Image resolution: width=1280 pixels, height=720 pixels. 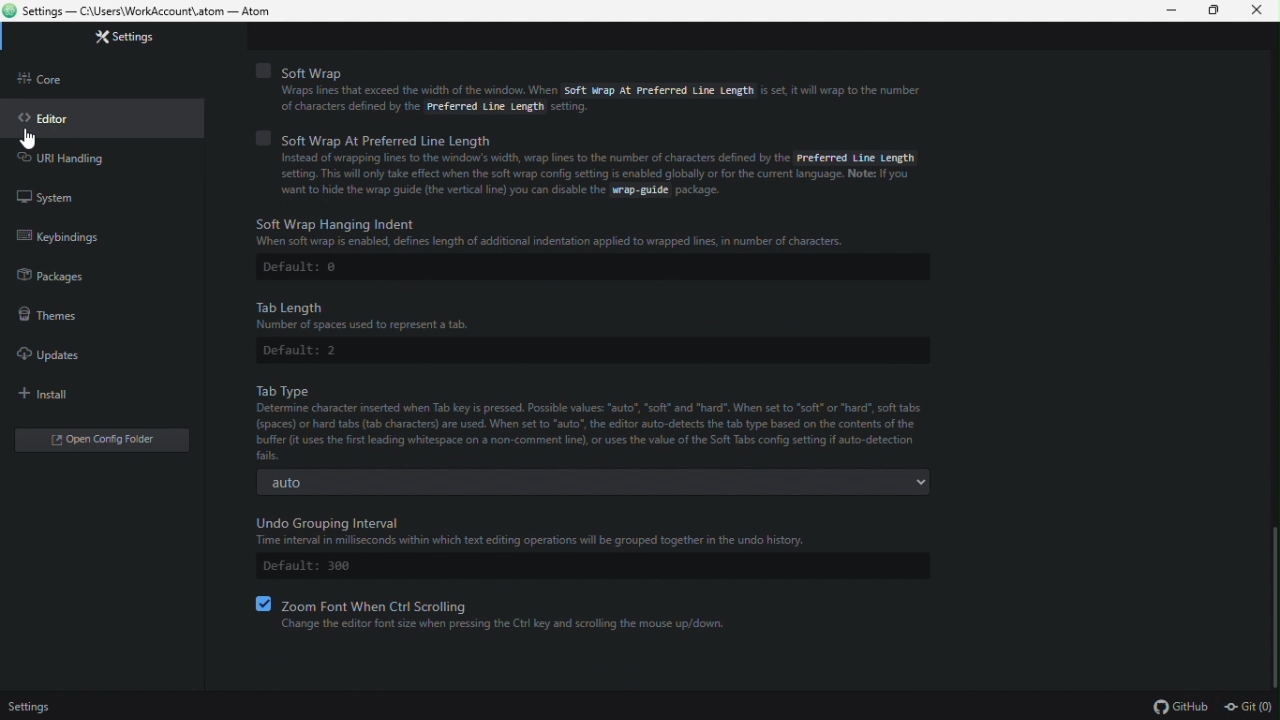 I want to click on Minimize, so click(x=1173, y=11).